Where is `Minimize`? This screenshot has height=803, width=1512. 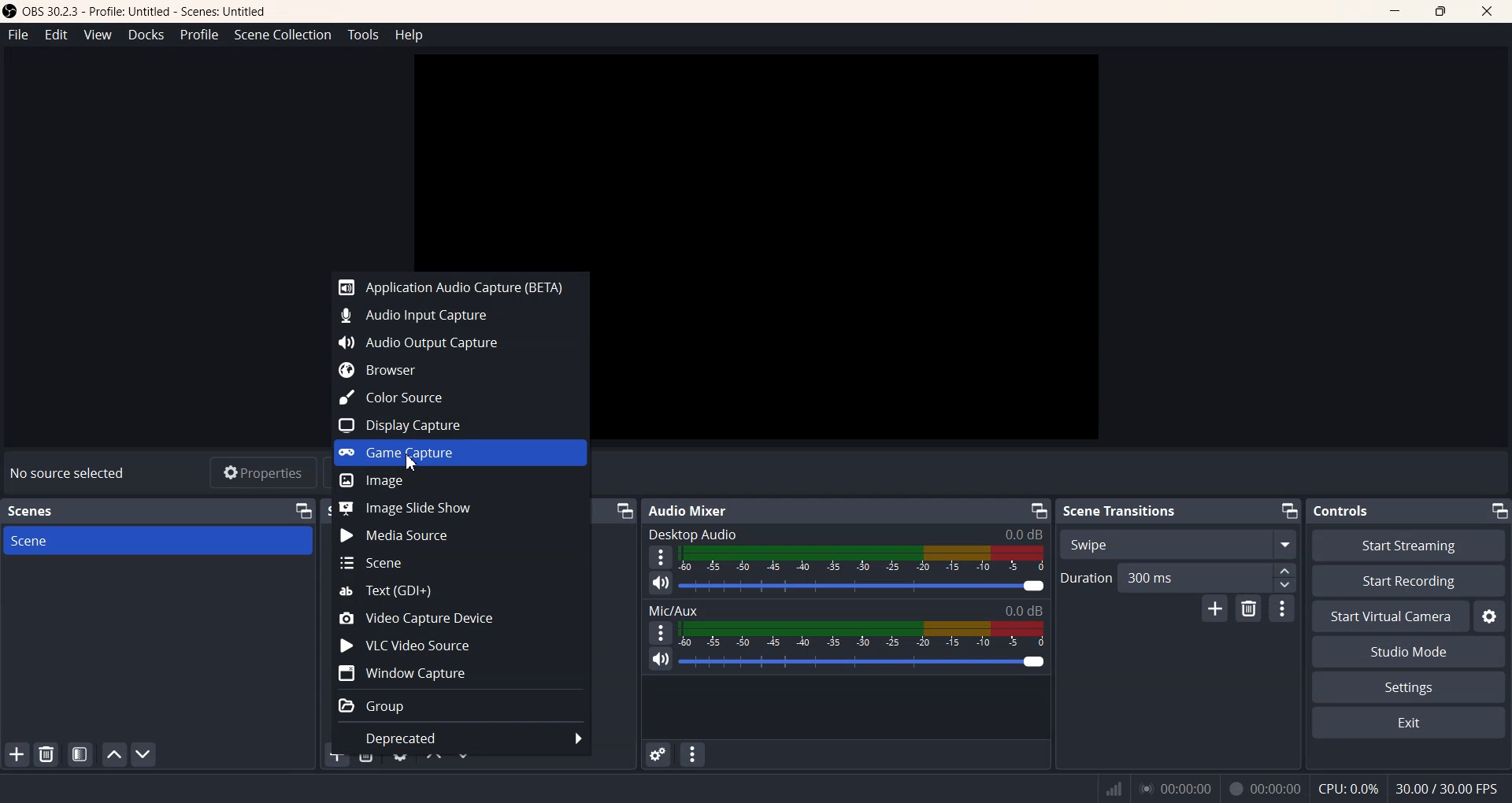 Minimize is located at coordinates (1288, 511).